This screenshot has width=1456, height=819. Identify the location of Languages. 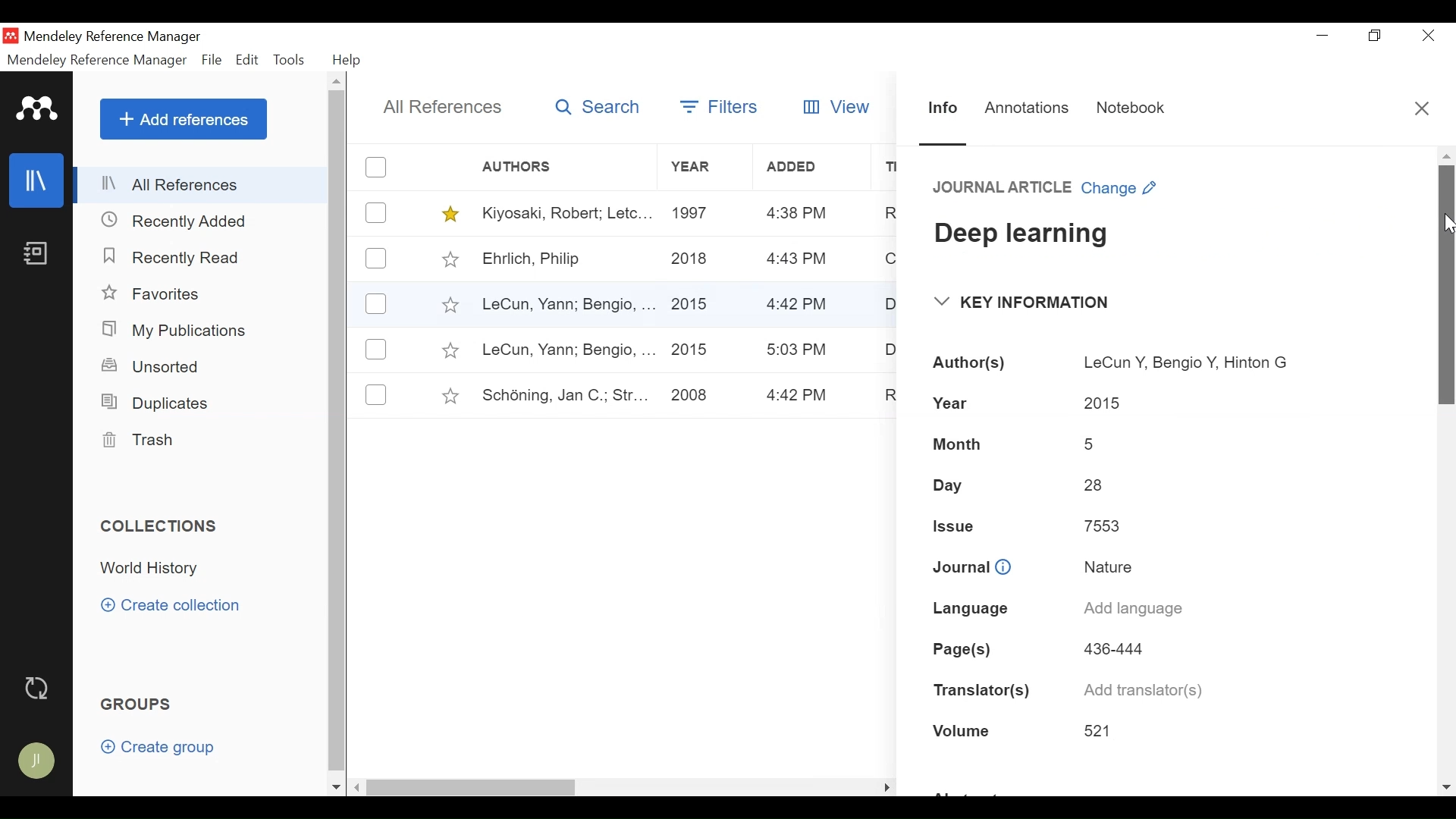
(966, 610).